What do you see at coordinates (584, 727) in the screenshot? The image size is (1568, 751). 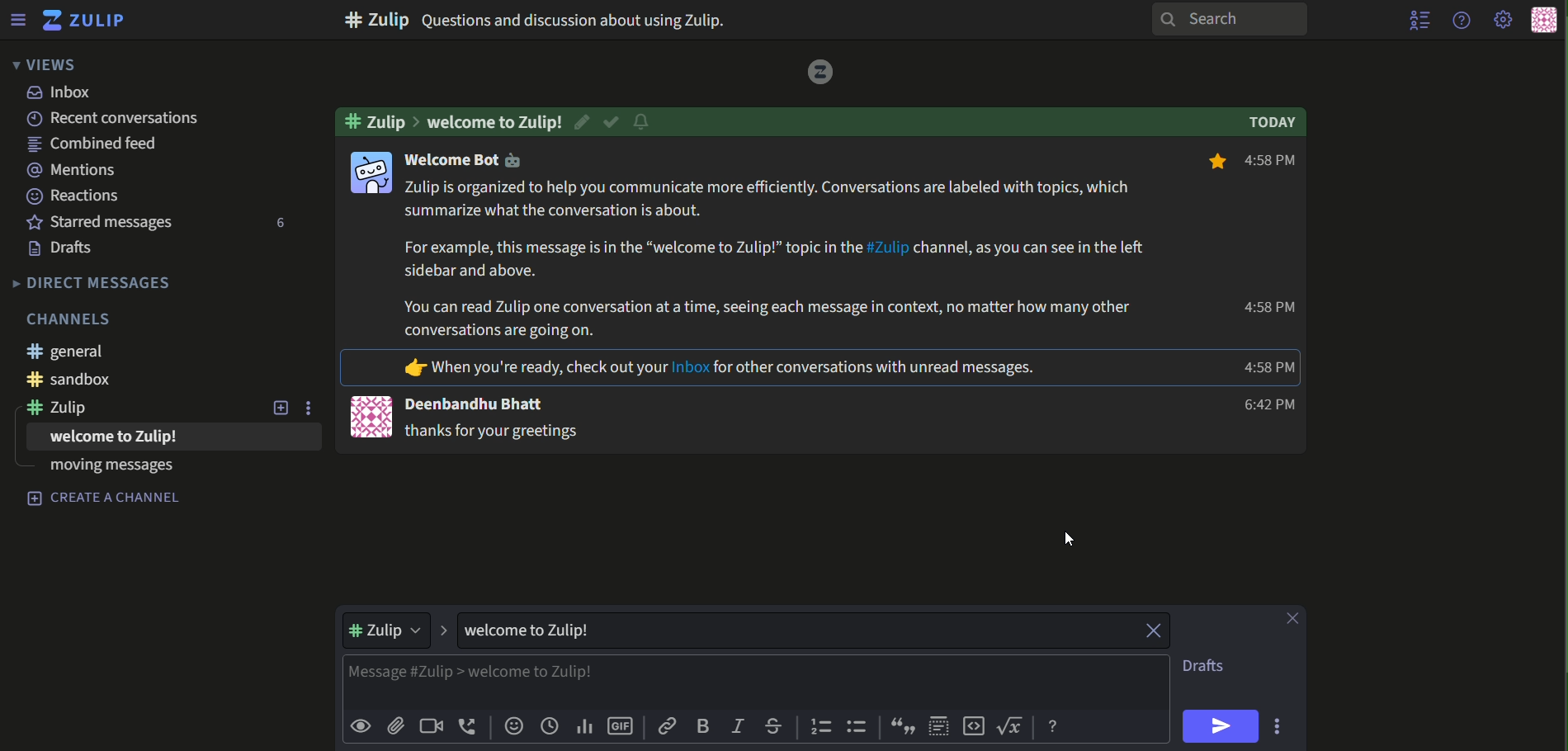 I see `add poll` at bounding box center [584, 727].